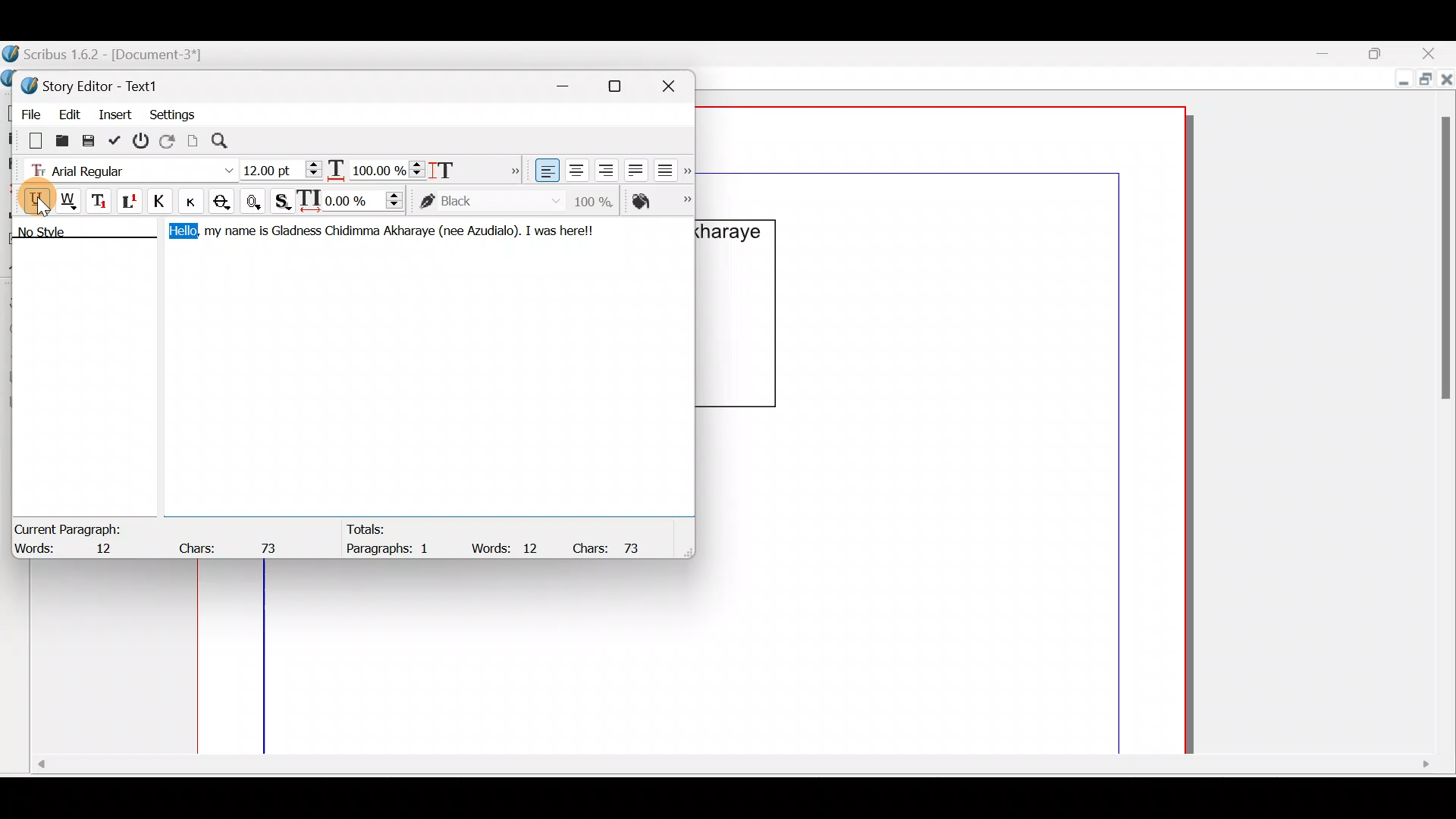 The image size is (1456, 819). I want to click on Chidimma, so click(351, 234).